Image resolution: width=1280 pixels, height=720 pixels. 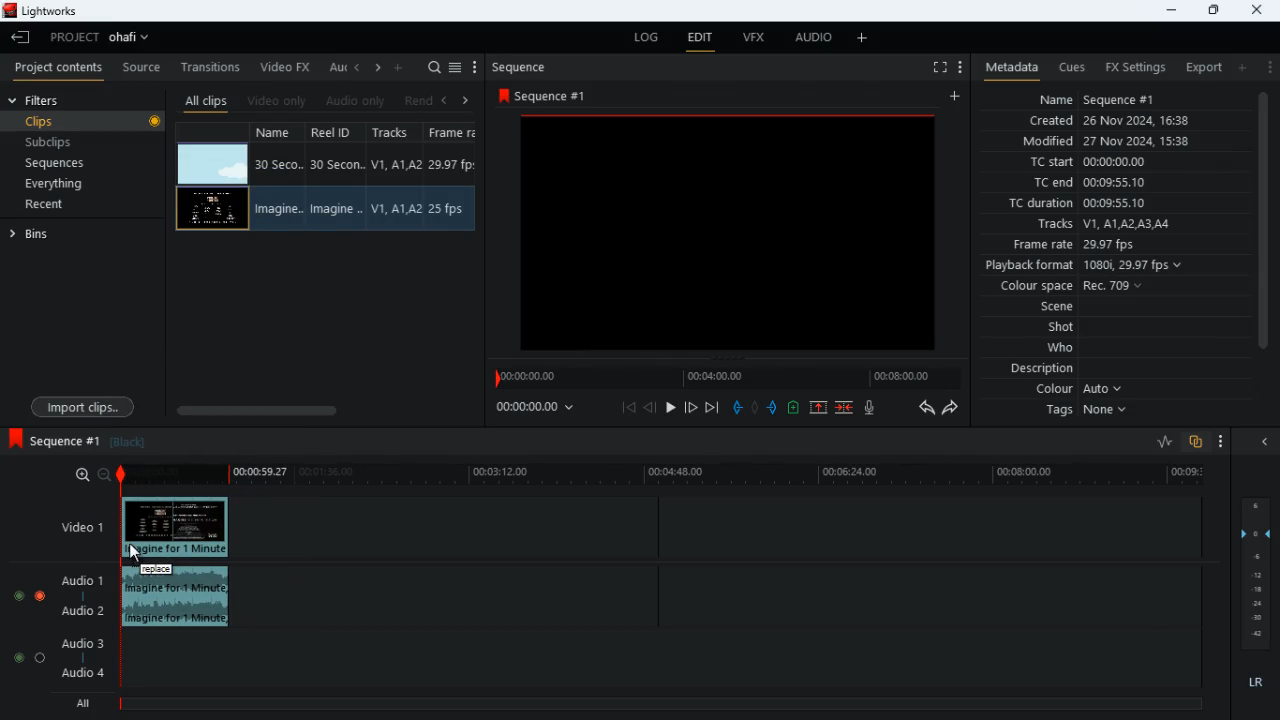 What do you see at coordinates (861, 39) in the screenshot?
I see `more` at bounding box center [861, 39].